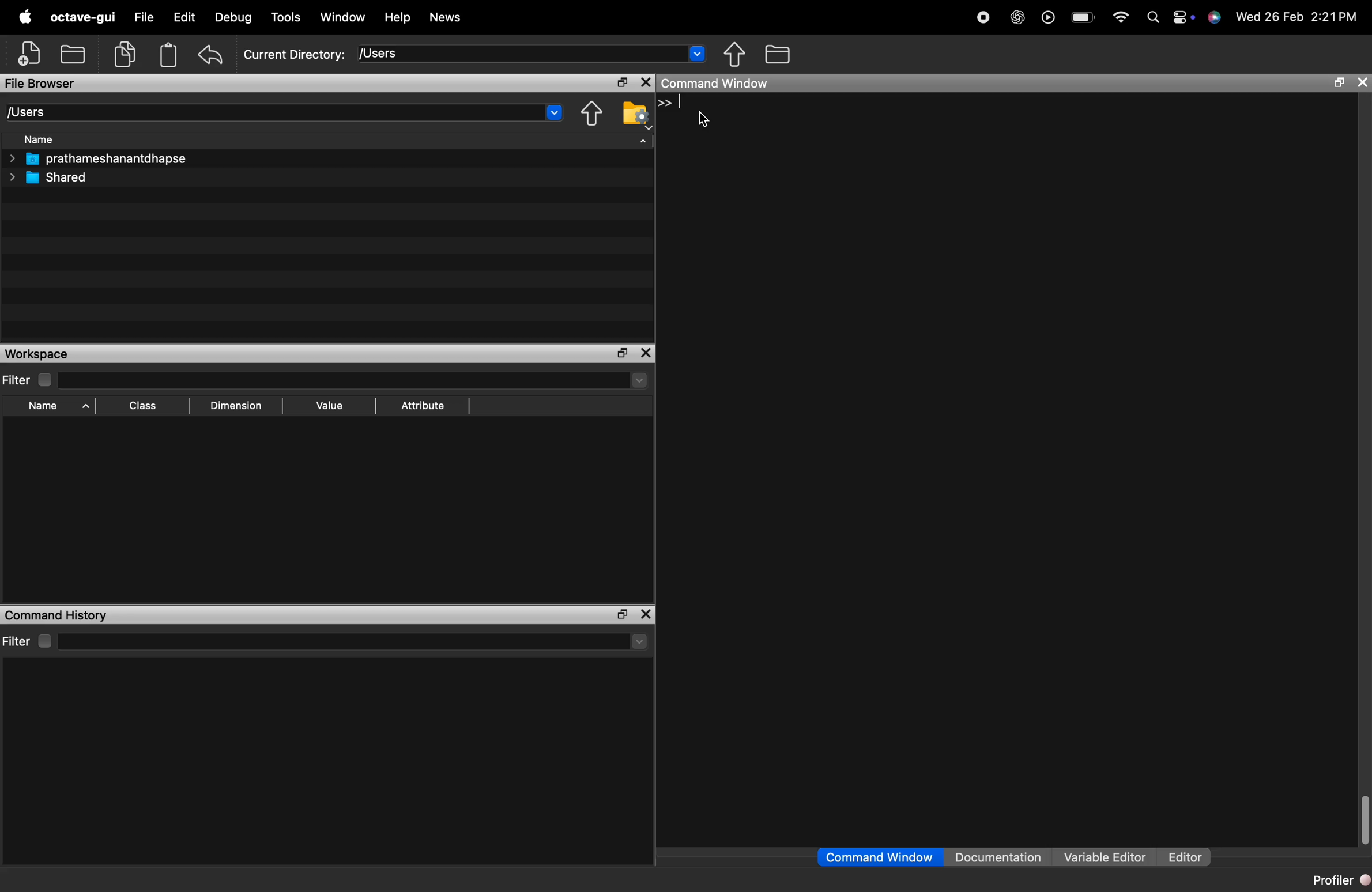 The width and height of the screenshot is (1372, 892). What do you see at coordinates (696, 54) in the screenshot?
I see `dropdown` at bounding box center [696, 54].